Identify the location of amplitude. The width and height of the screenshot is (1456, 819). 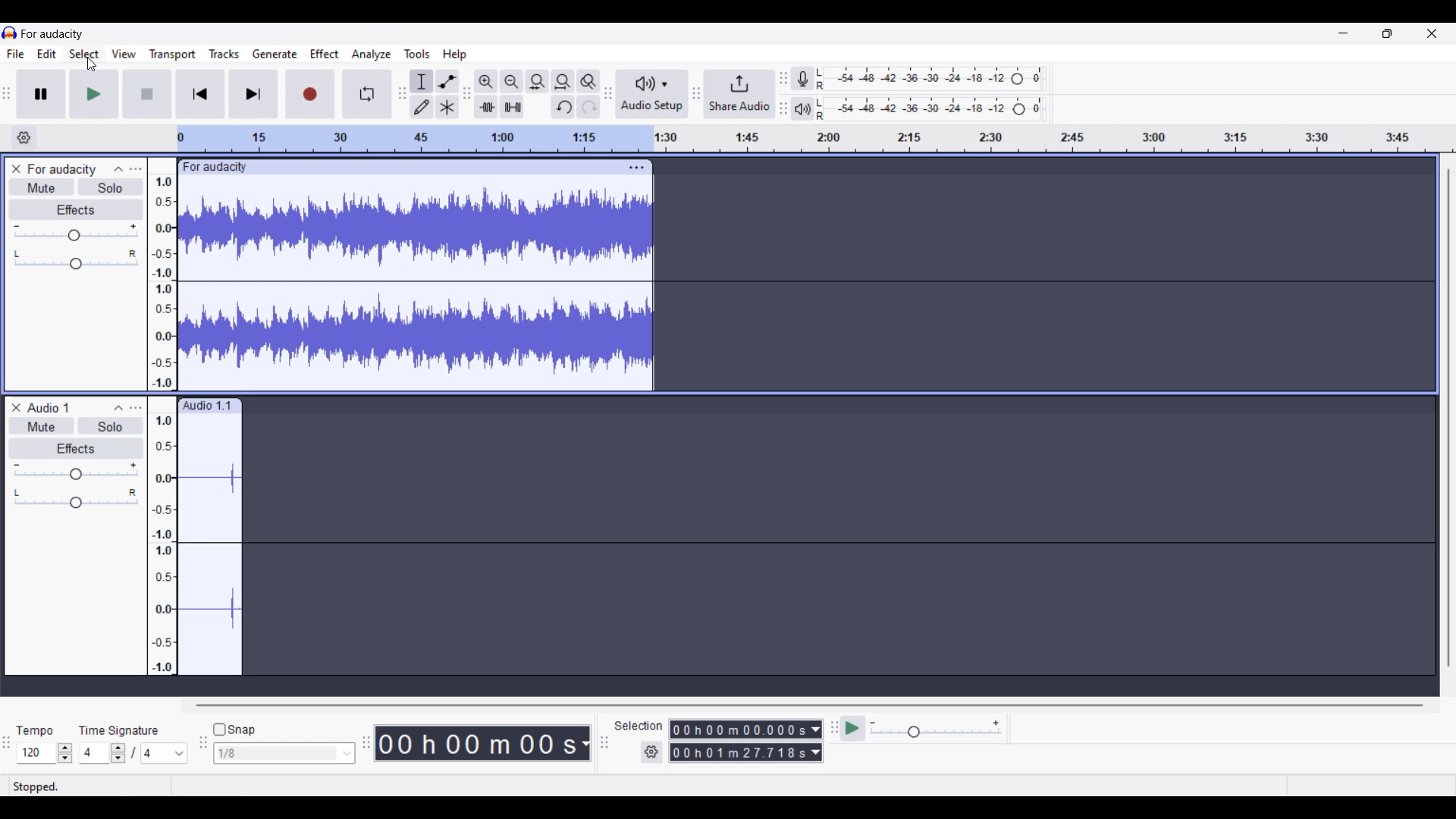
(162, 535).